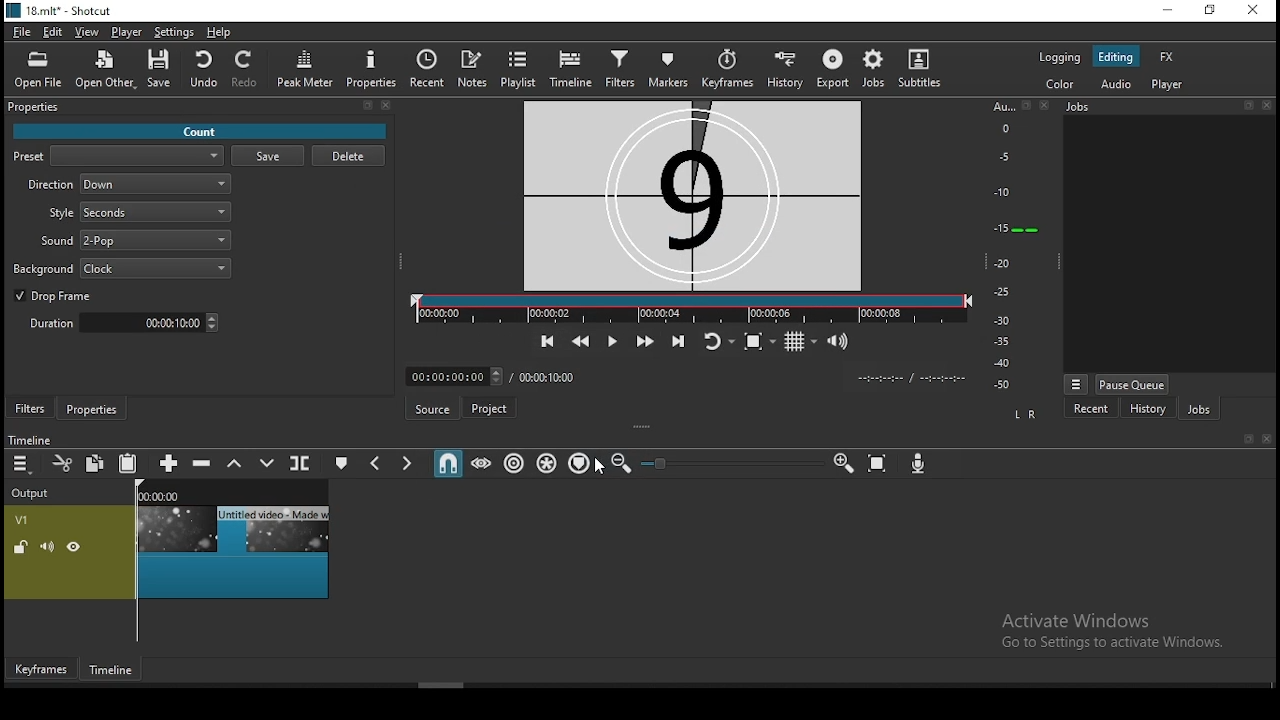 The height and width of the screenshot is (720, 1280). I want to click on append, so click(167, 463).